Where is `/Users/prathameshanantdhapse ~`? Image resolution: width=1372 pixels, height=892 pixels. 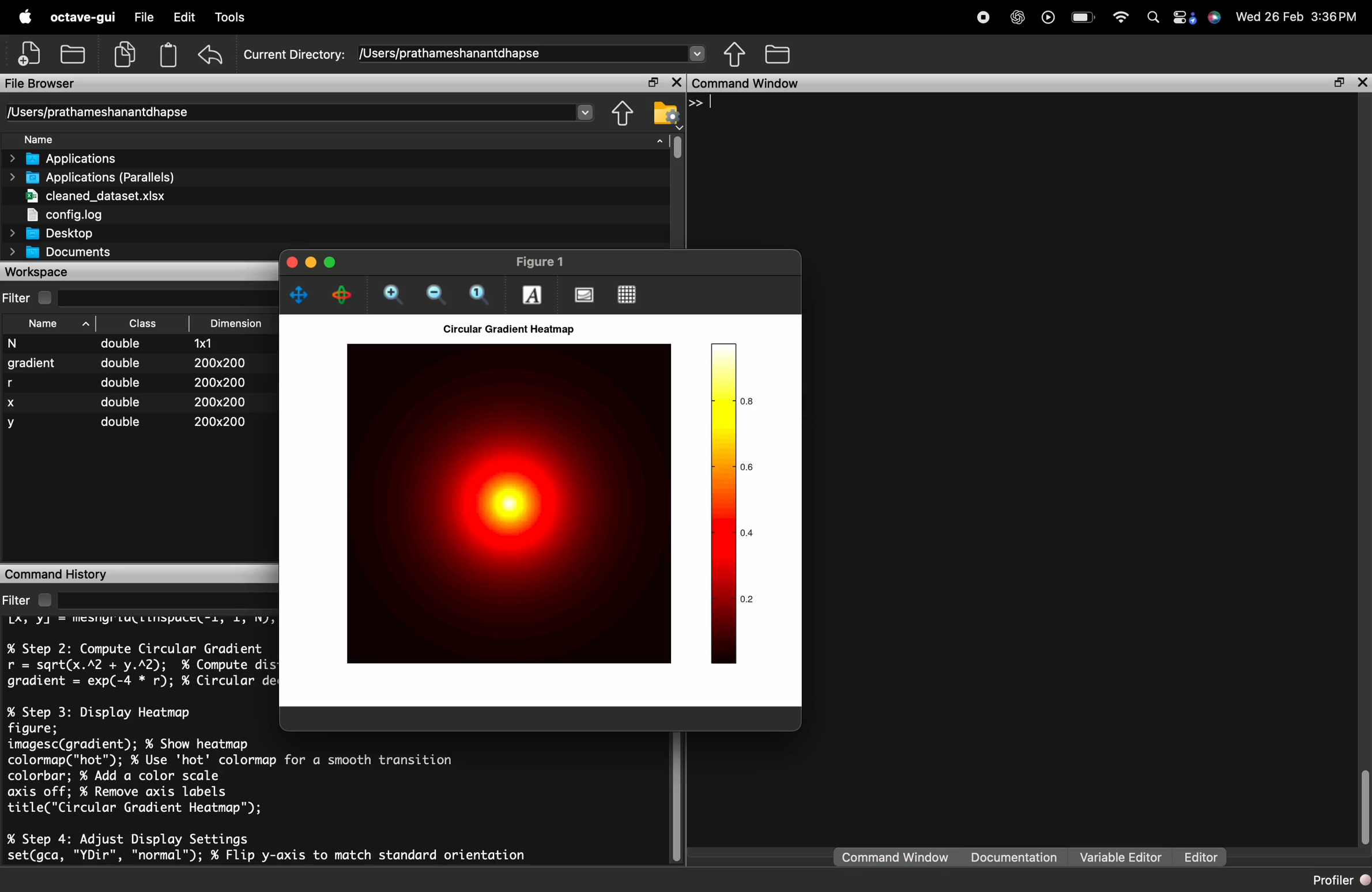 /Users/prathameshanantdhapse ~ is located at coordinates (529, 54).